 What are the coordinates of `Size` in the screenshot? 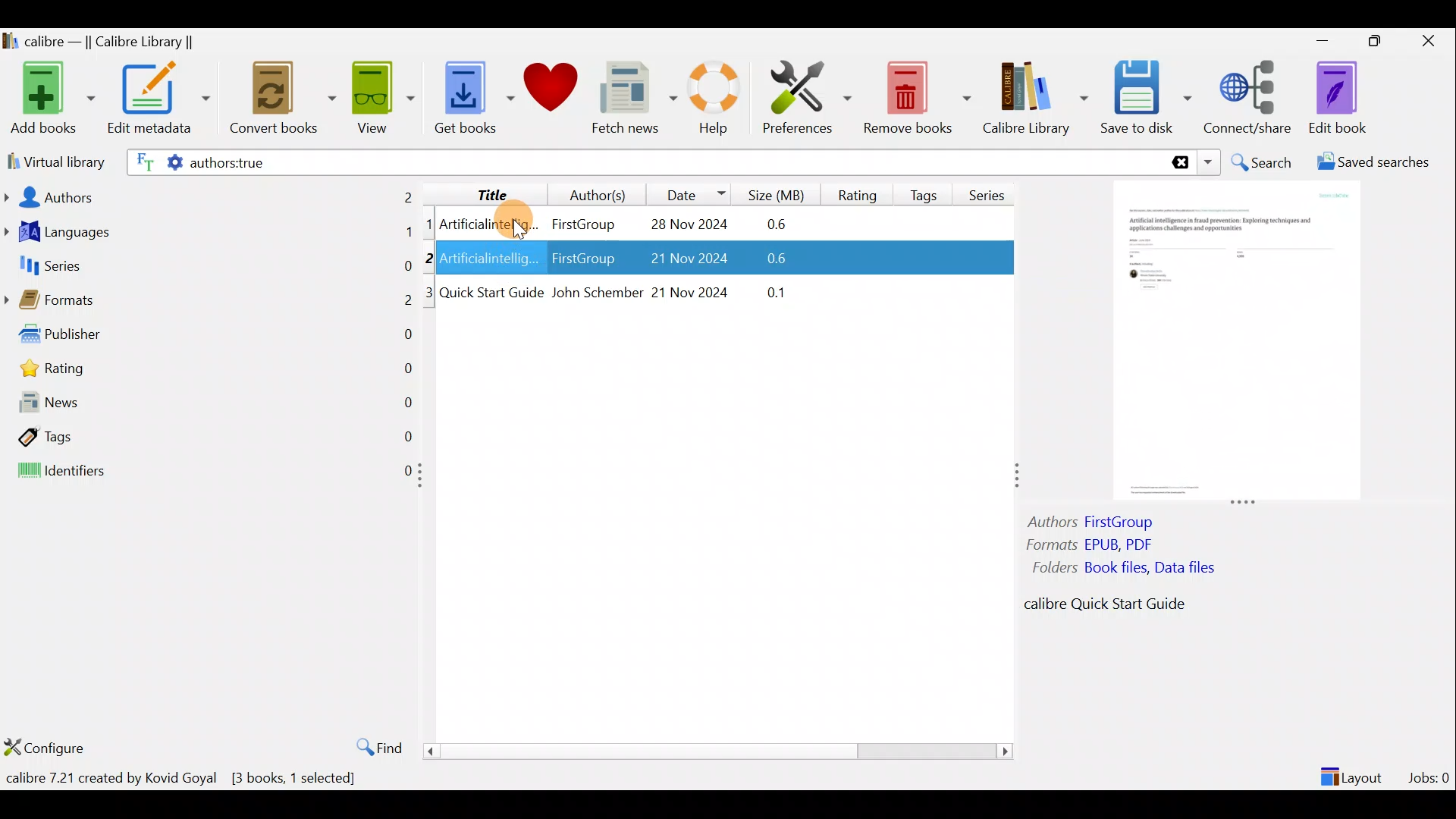 It's located at (780, 193).